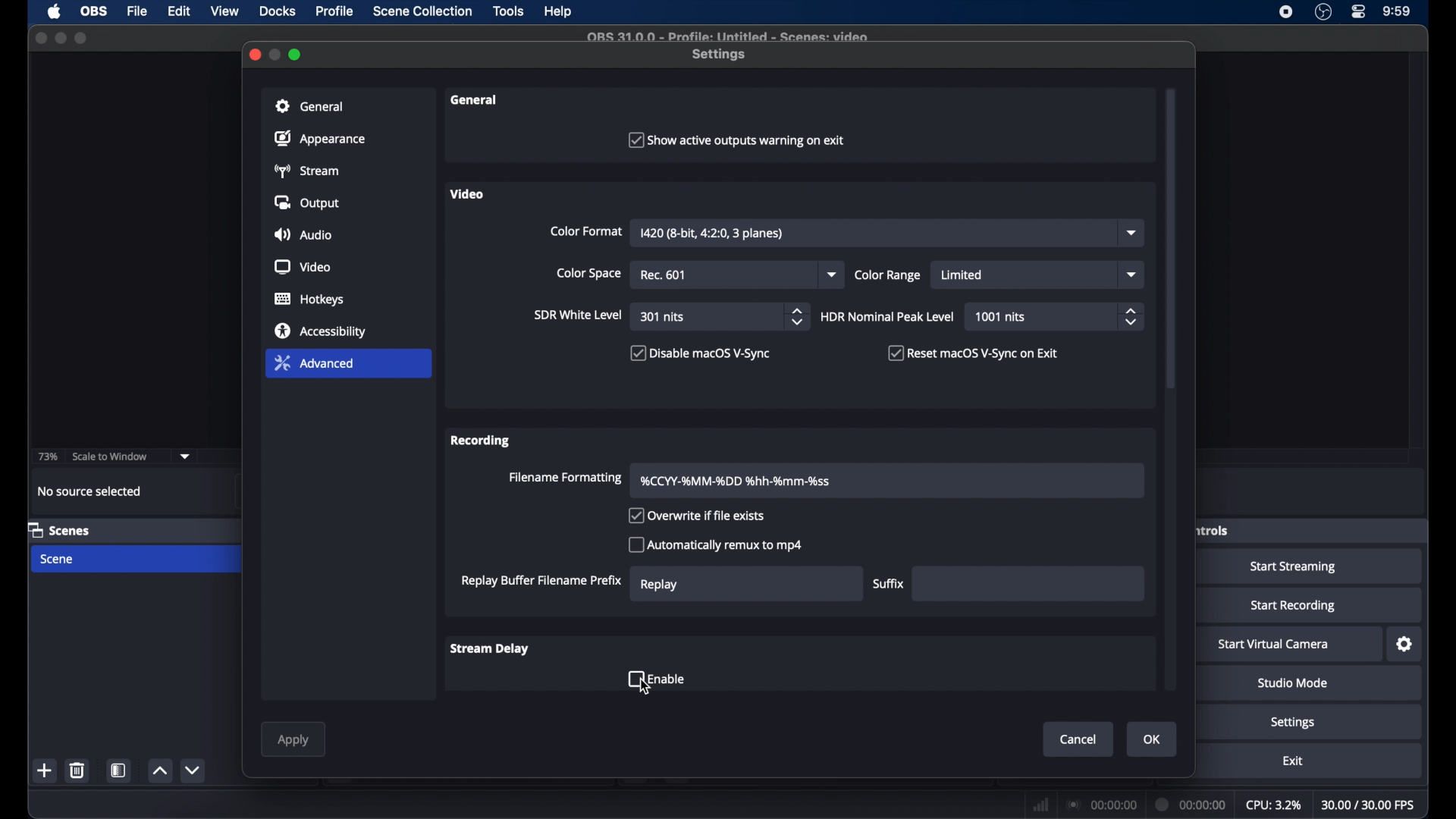 This screenshot has height=819, width=1456. Describe the element at coordinates (309, 300) in the screenshot. I see `hotkeys` at that location.